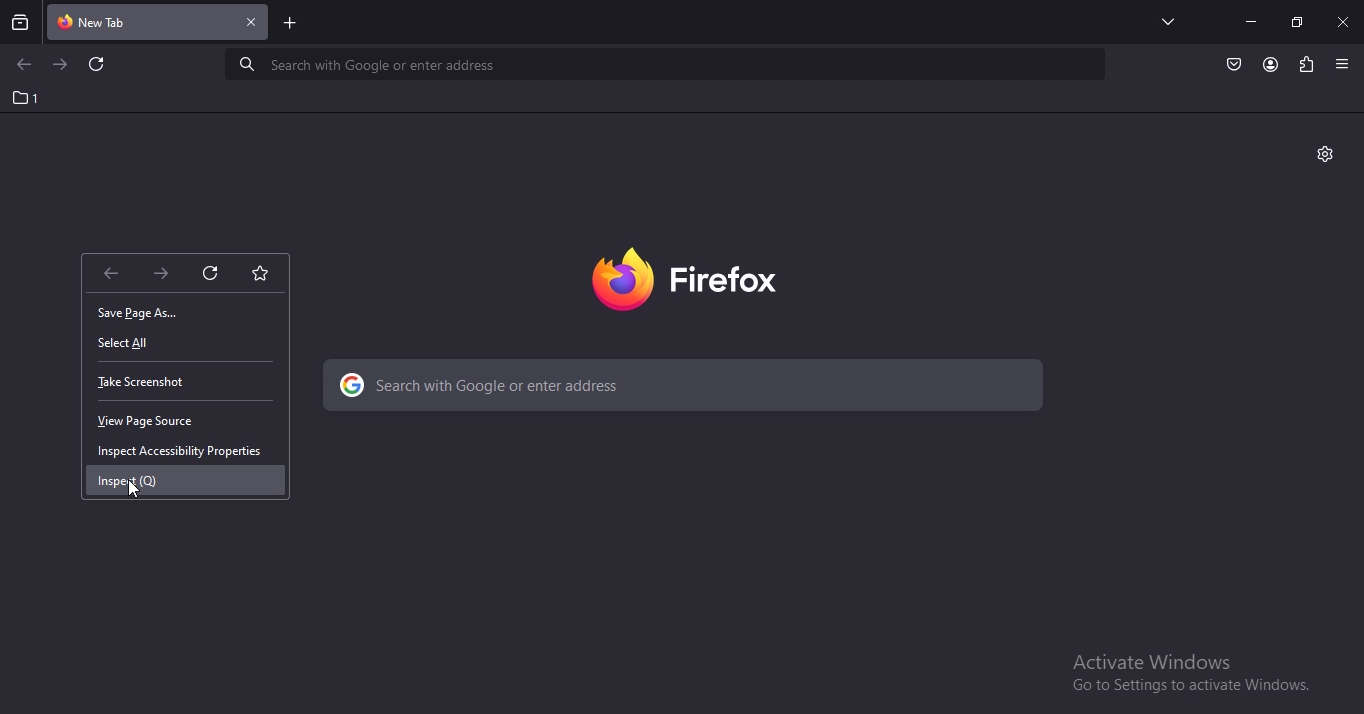 The height and width of the screenshot is (714, 1364). What do you see at coordinates (136, 345) in the screenshot?
I see `select all` at bounding box center [136, 345].